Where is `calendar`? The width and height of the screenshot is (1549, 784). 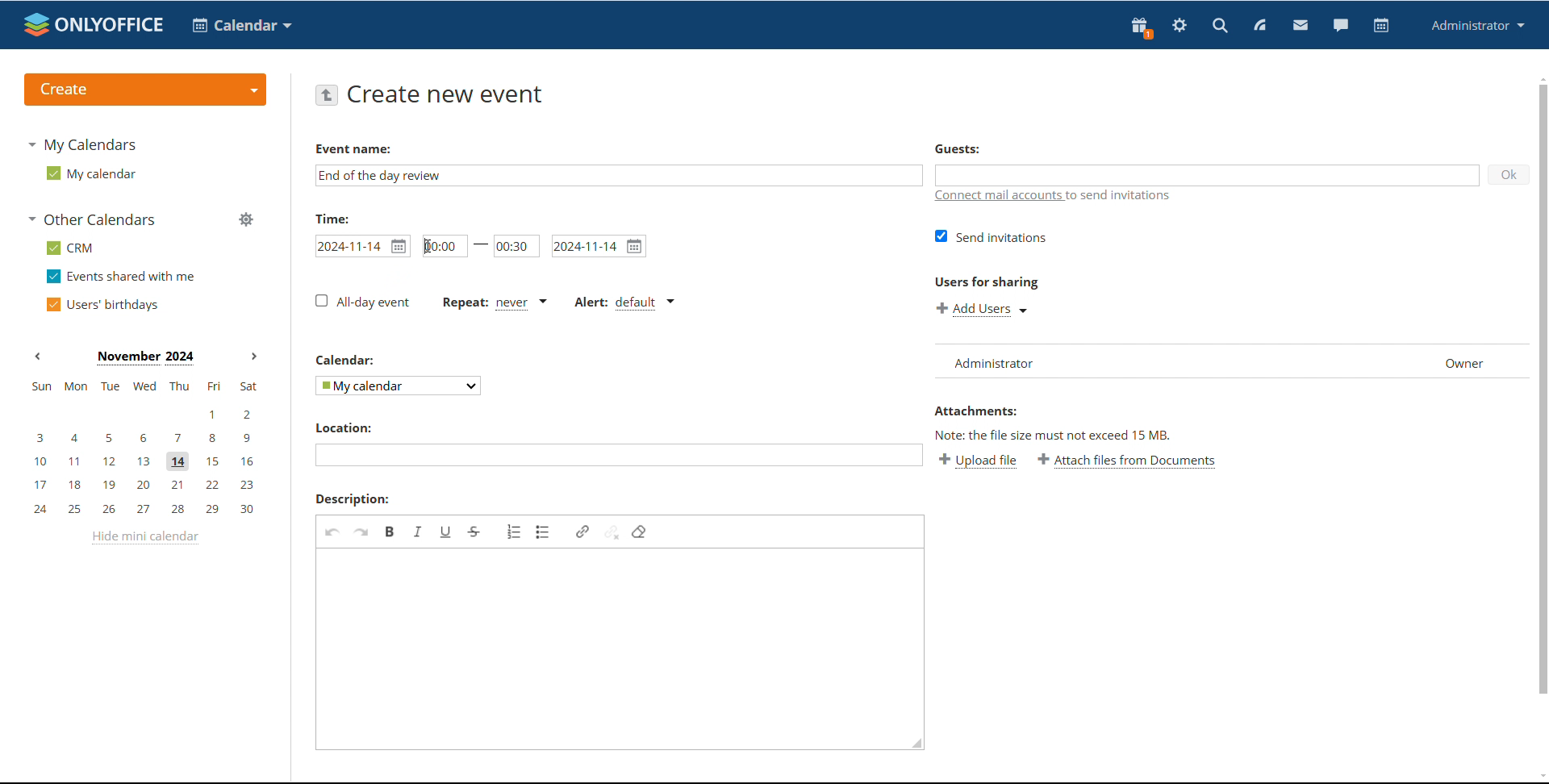
calendar is located at coordinates (242, 25).